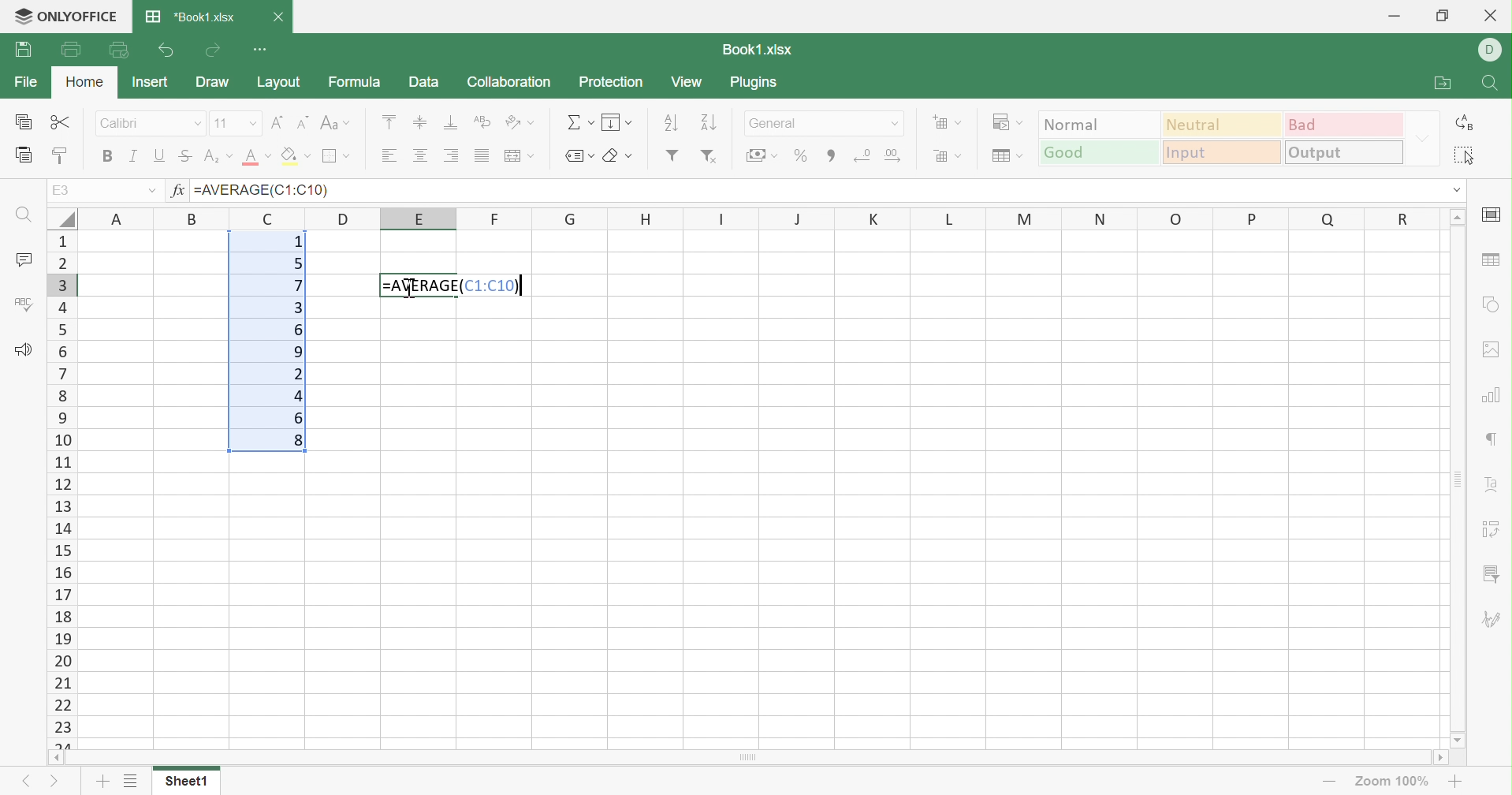  What do you see at coordinates (277, 123) in the screenshot?
I see `Increment font size` at bounding box center [277, 123].